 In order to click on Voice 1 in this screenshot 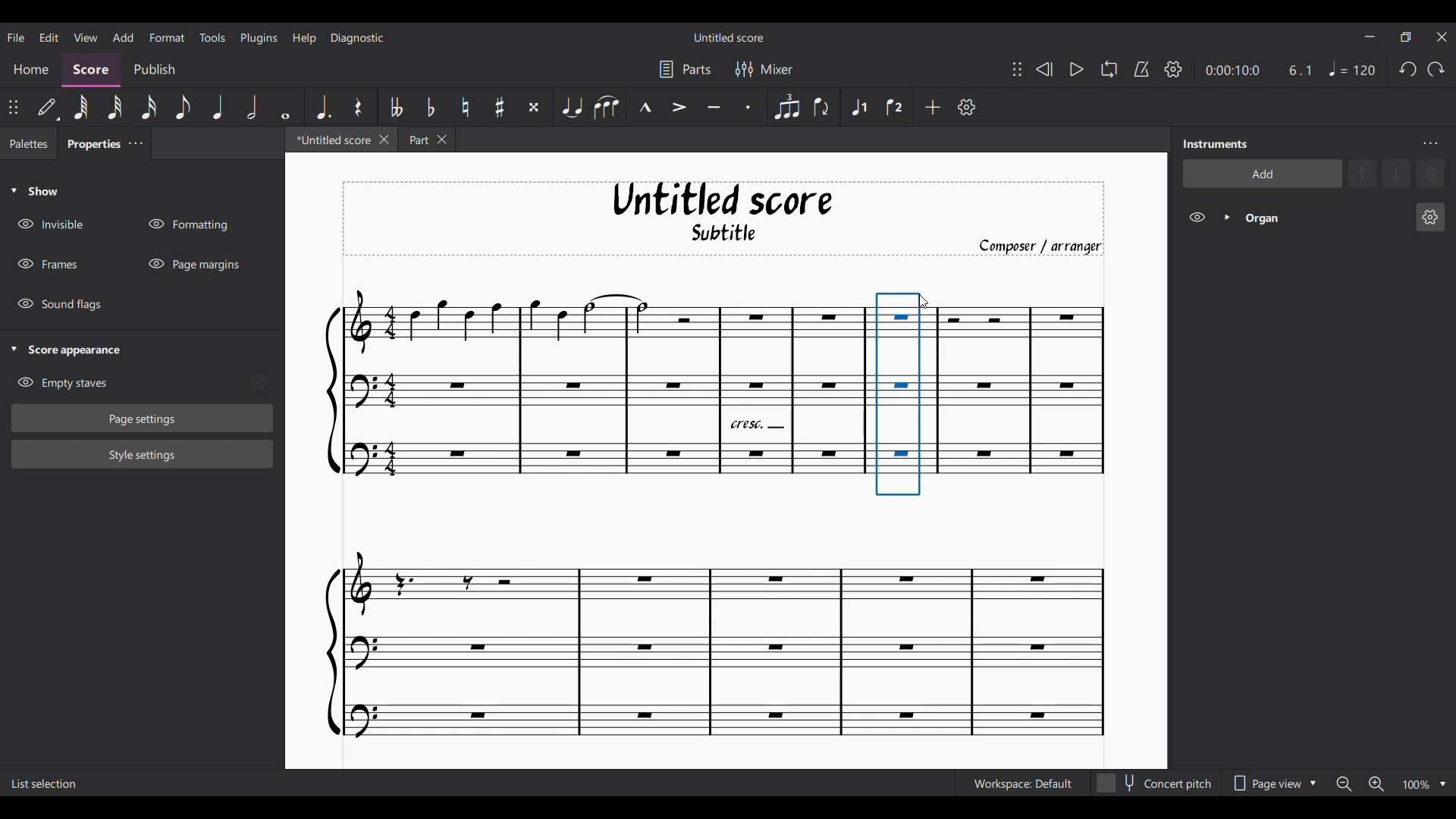, I will do `click(858, 106)`.